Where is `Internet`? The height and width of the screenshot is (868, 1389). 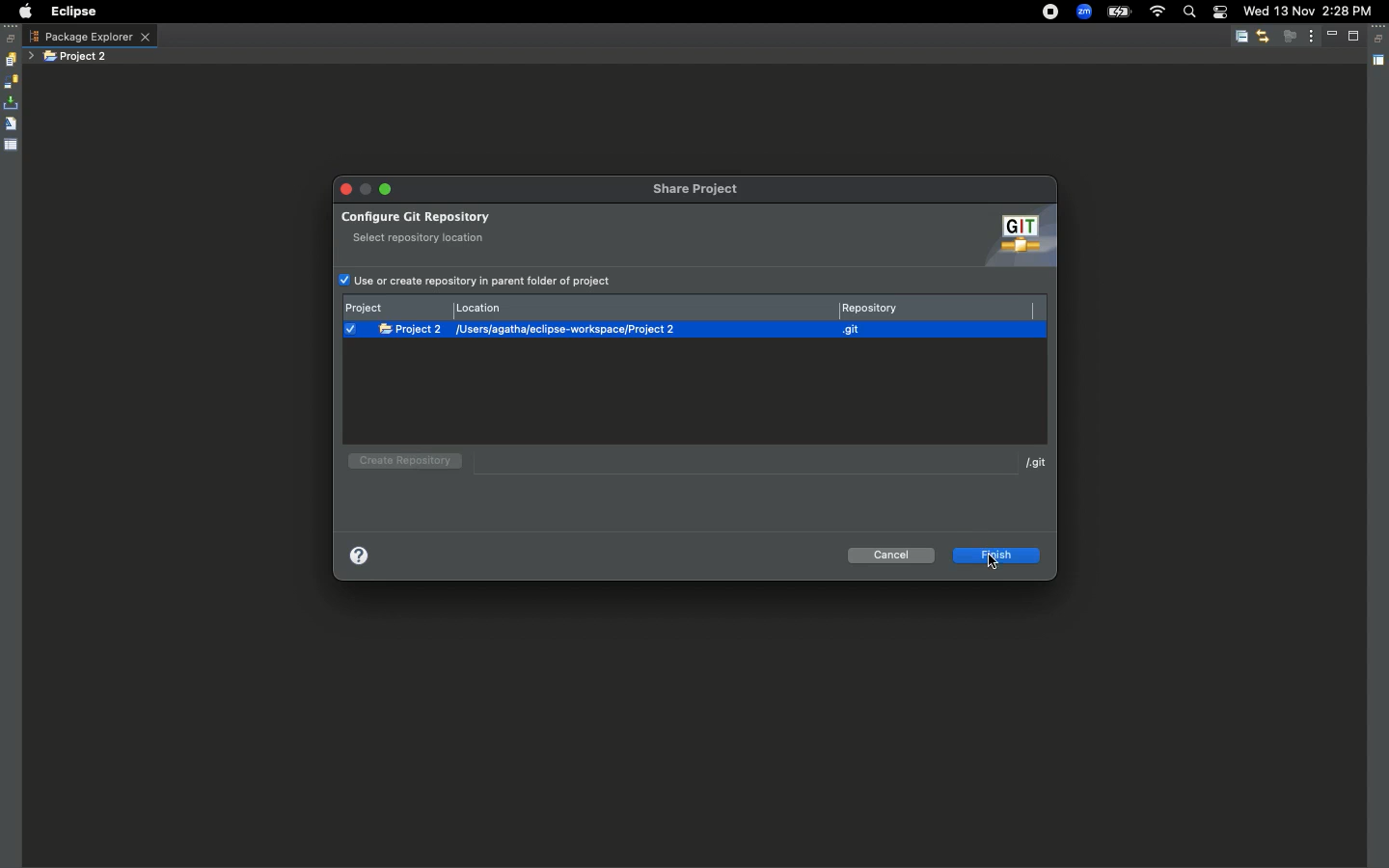 Internet is located at coordinates (1157, 13).